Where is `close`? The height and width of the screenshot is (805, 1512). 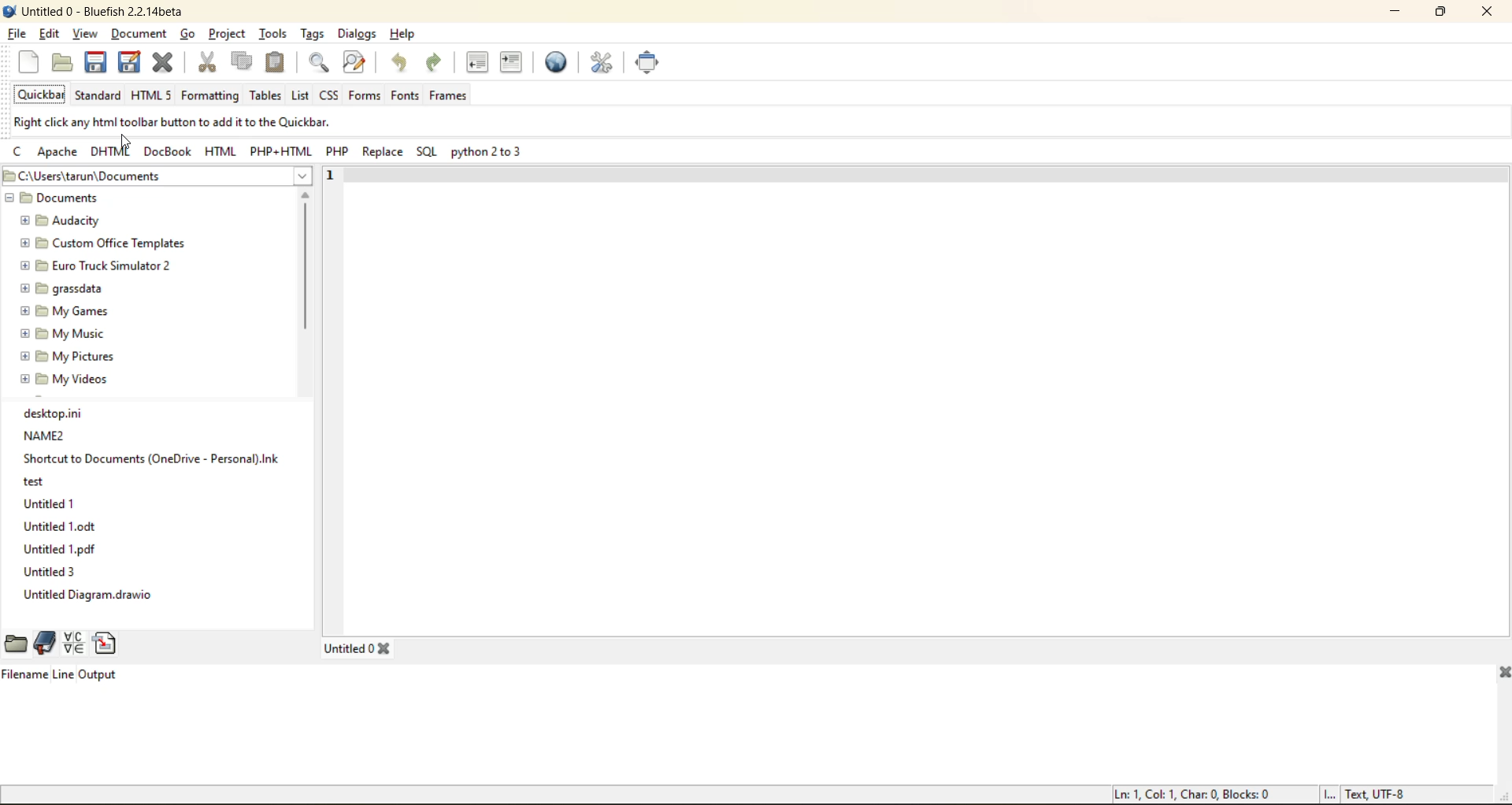 close is located at coordinates (1489, 13).